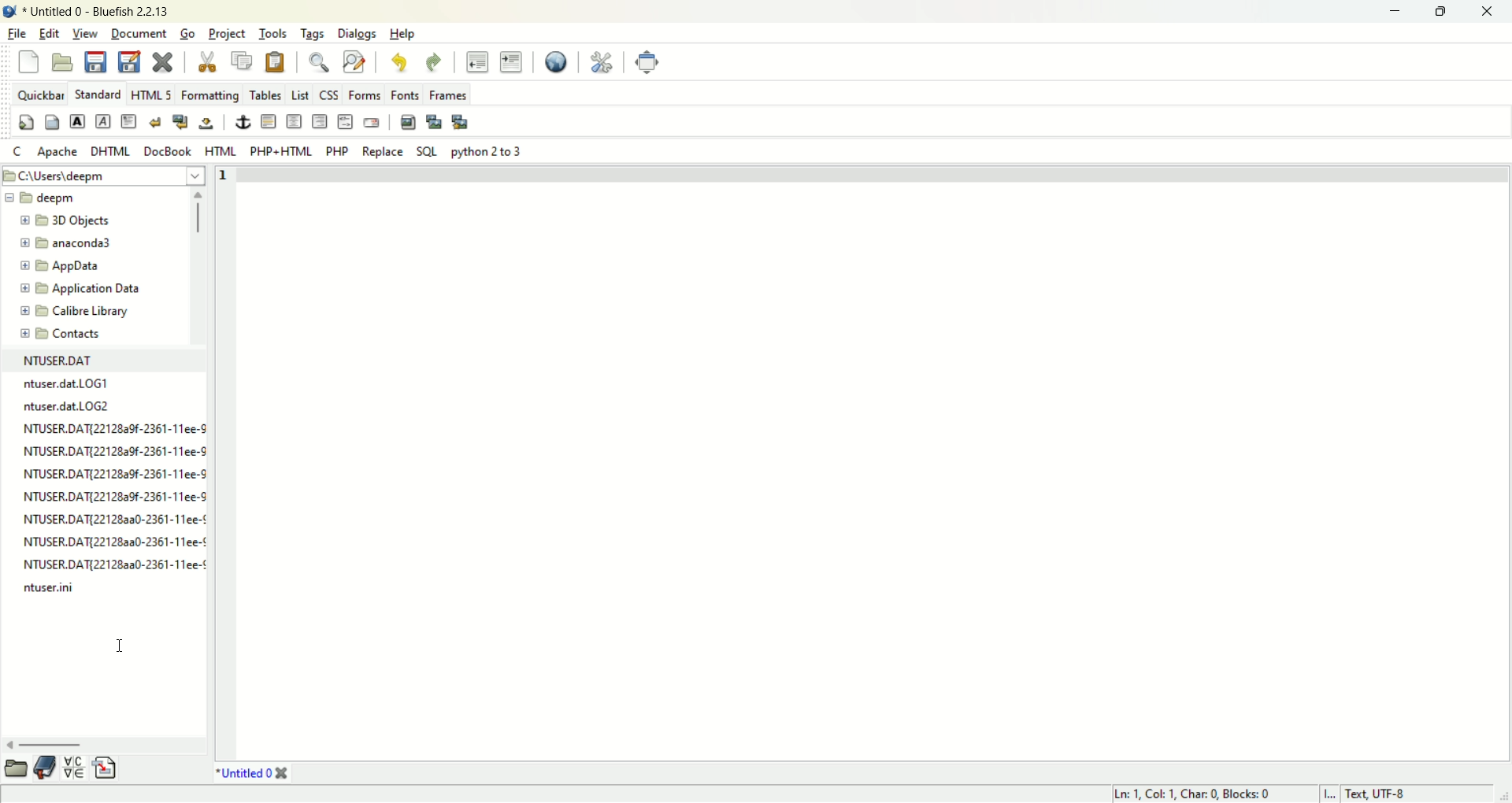  What do you see at coordinates (433, 61) in the screenshot?
I see `redo` at bounding box center [433, 61].